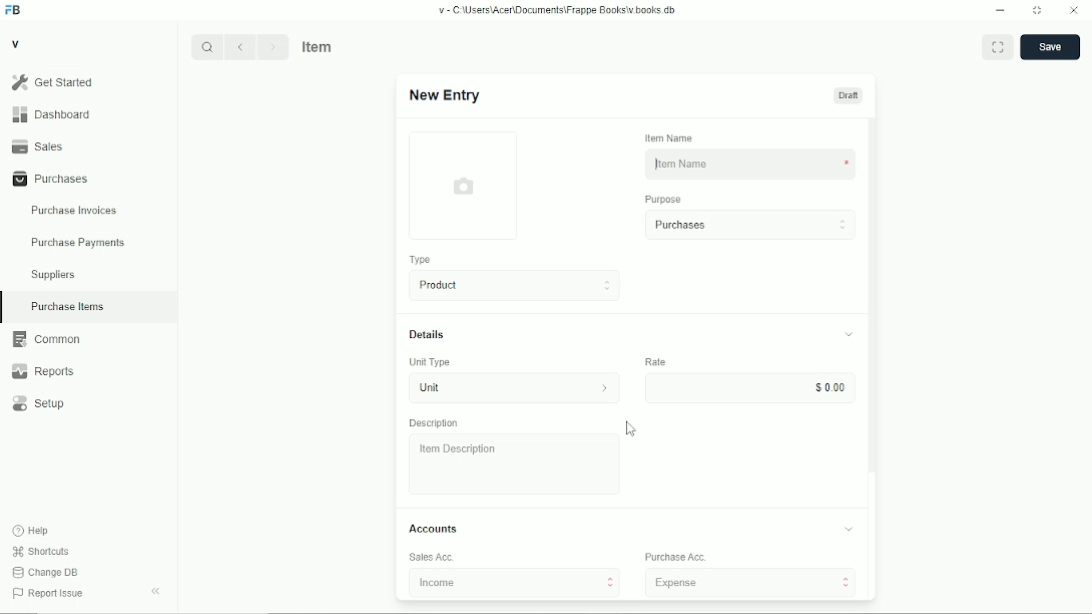 The height and width of the screenshot is (614, 1092). Describe the element at coordinates (48, 593) in the screenshot. I see `report issue` at that location.